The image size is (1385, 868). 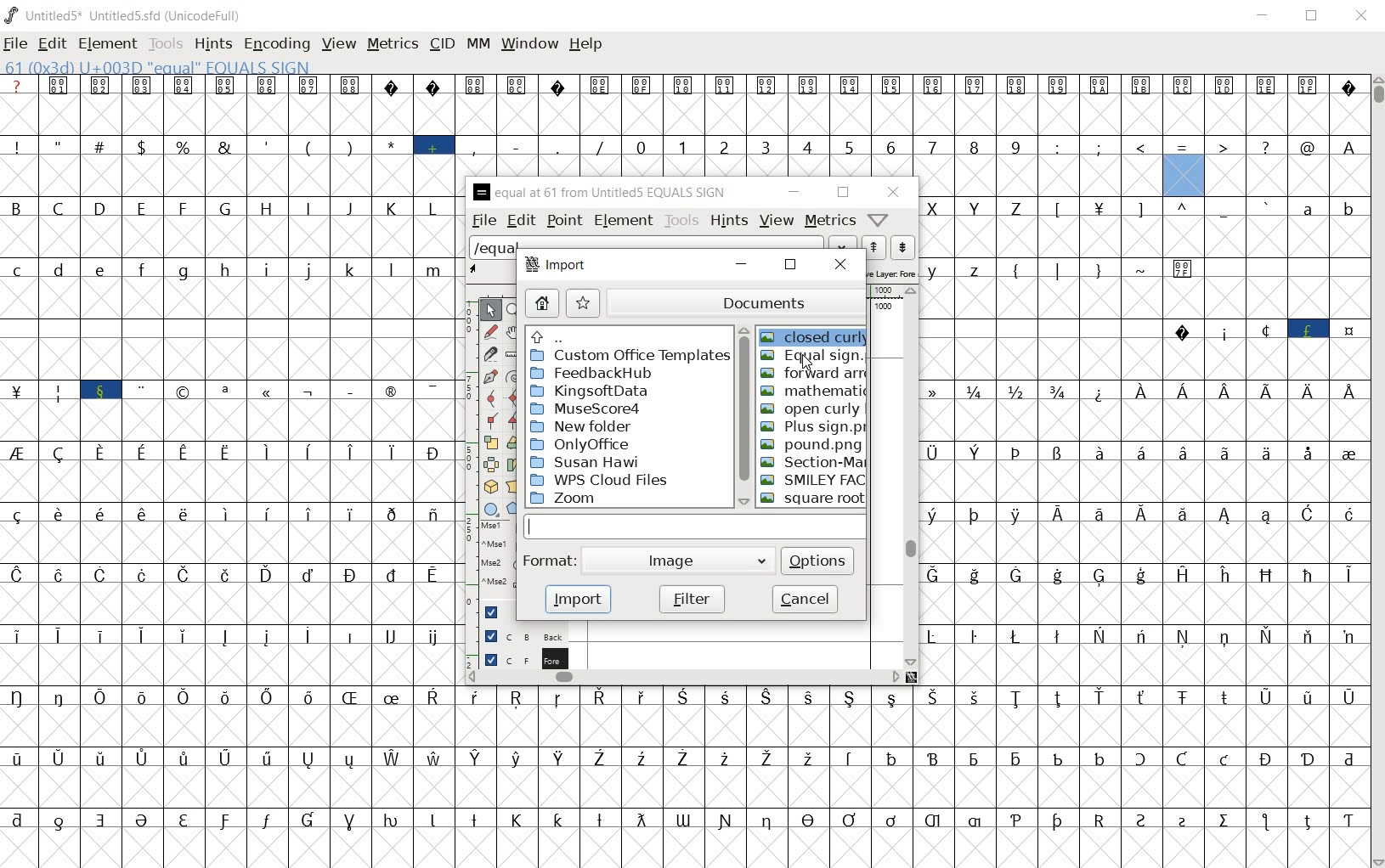 I want to click on MAGNIFY, so click(x=513, y=309).